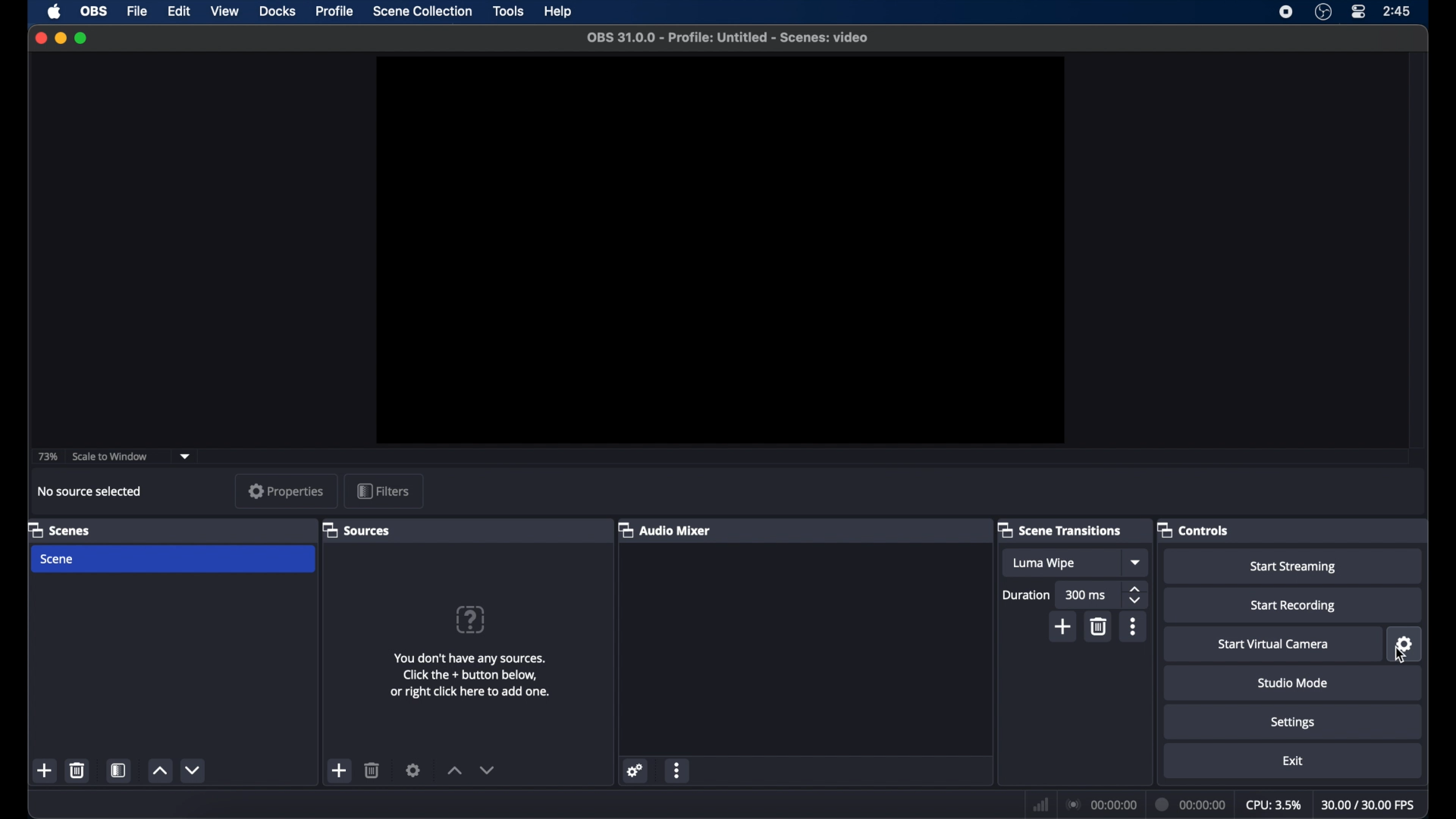 Image resolution: width=1456 pixels, height=819 pixels. What do you see at coordinates (1360, 12) in the screenshot?
I see `control center` at bounding box center [1360, 12].